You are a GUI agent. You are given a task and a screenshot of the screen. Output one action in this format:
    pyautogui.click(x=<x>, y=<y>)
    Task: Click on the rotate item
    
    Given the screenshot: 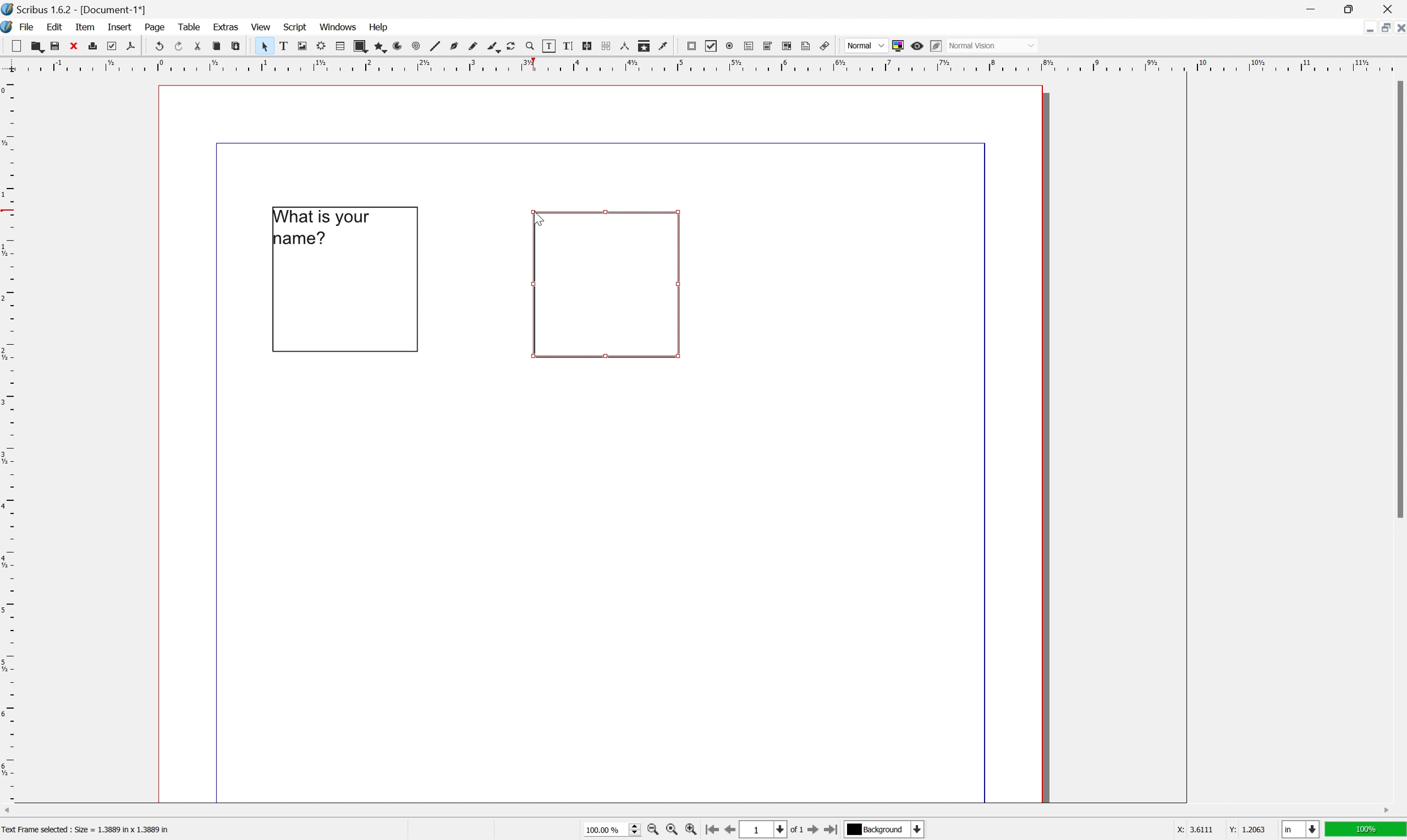 What is the action you would take?
    pyautogui.click(x=511, y=46)
    